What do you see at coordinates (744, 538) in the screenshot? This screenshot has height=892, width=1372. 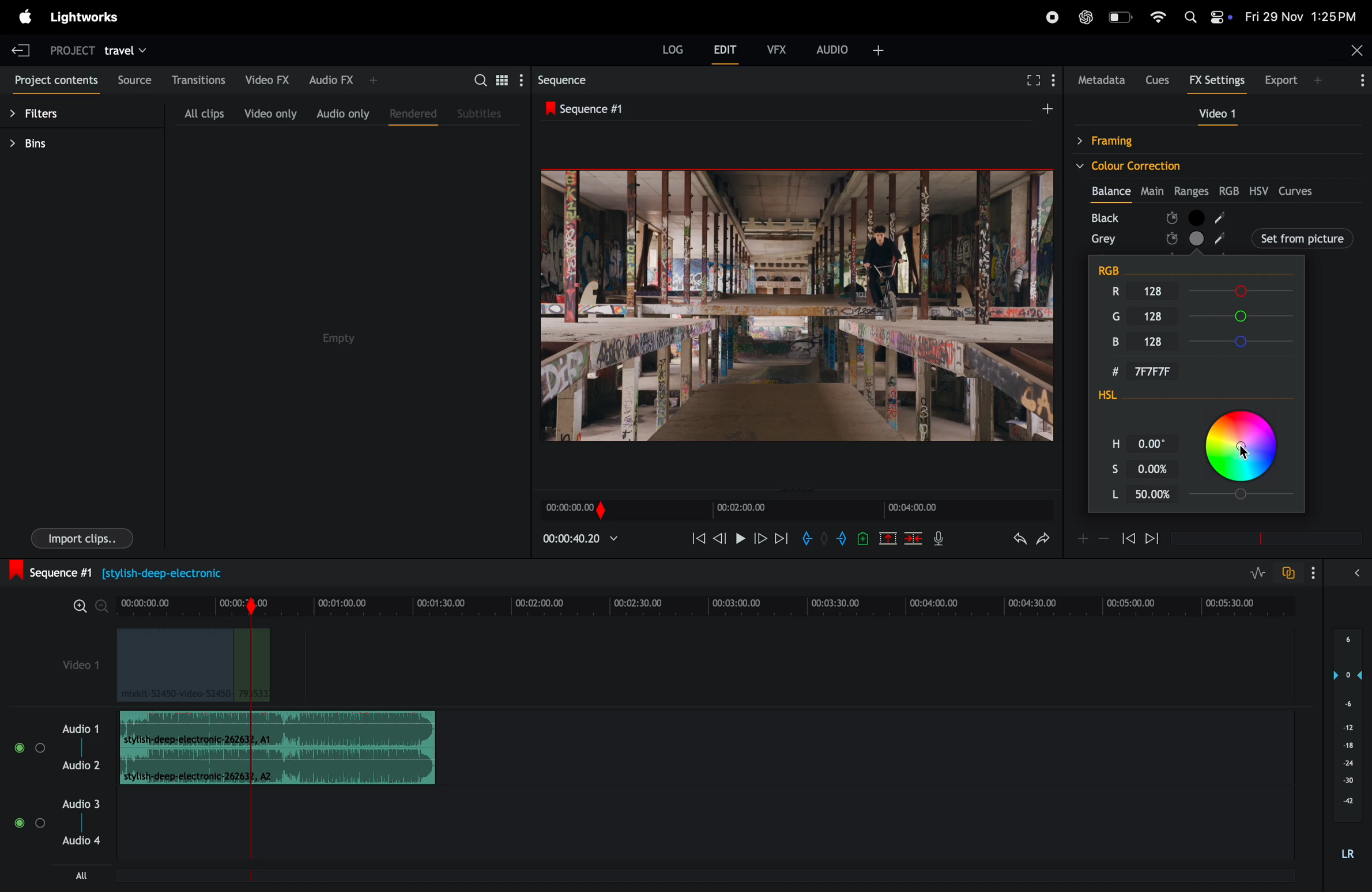 I see `pause and play` at bounding box center [744, 538].